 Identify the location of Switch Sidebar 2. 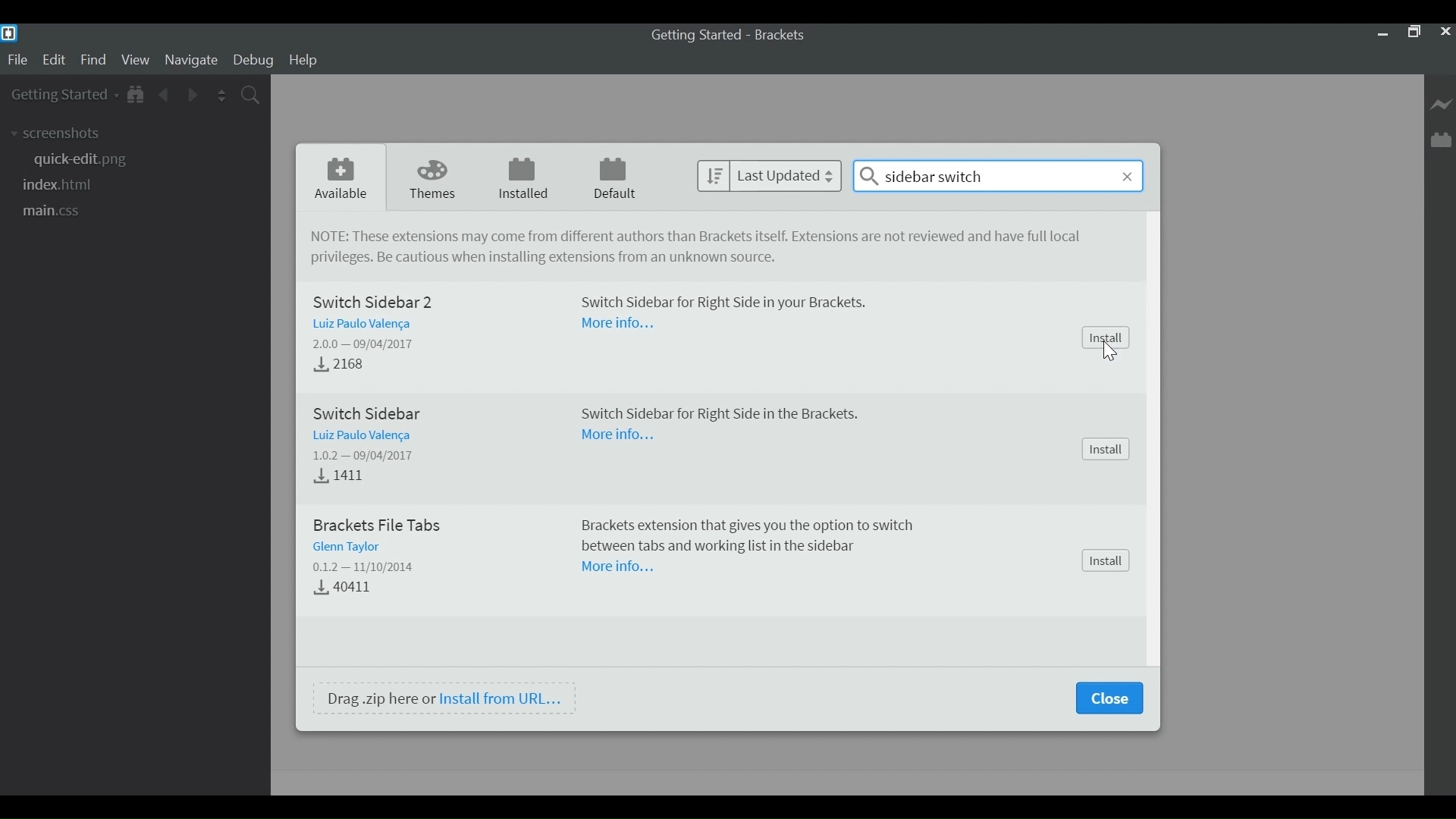
(381, 300).